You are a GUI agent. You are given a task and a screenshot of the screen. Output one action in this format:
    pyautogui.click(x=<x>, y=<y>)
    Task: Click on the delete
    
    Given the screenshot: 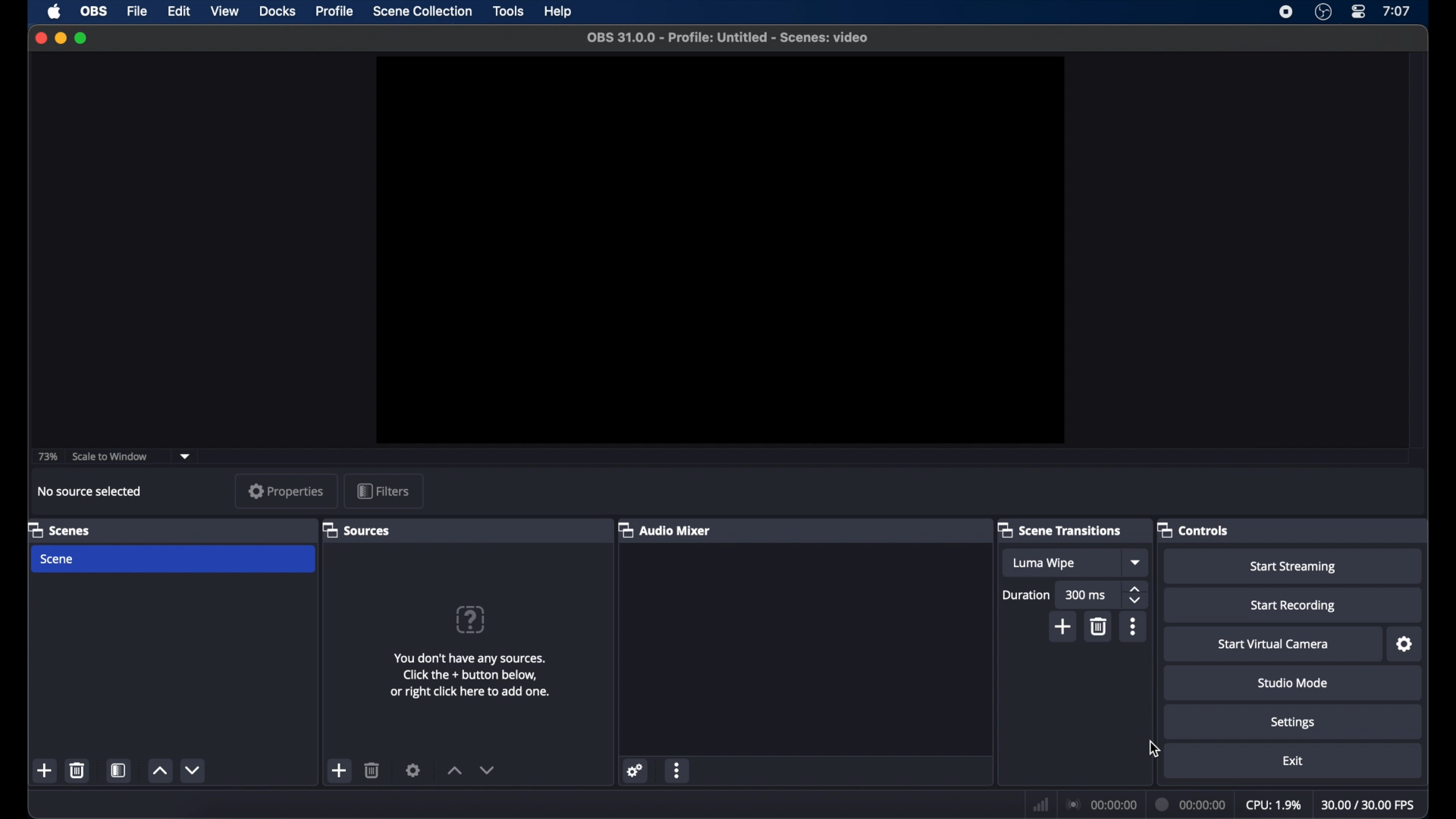 What is the action you would take?
    pyautogui.click(x=372, y=770)
    